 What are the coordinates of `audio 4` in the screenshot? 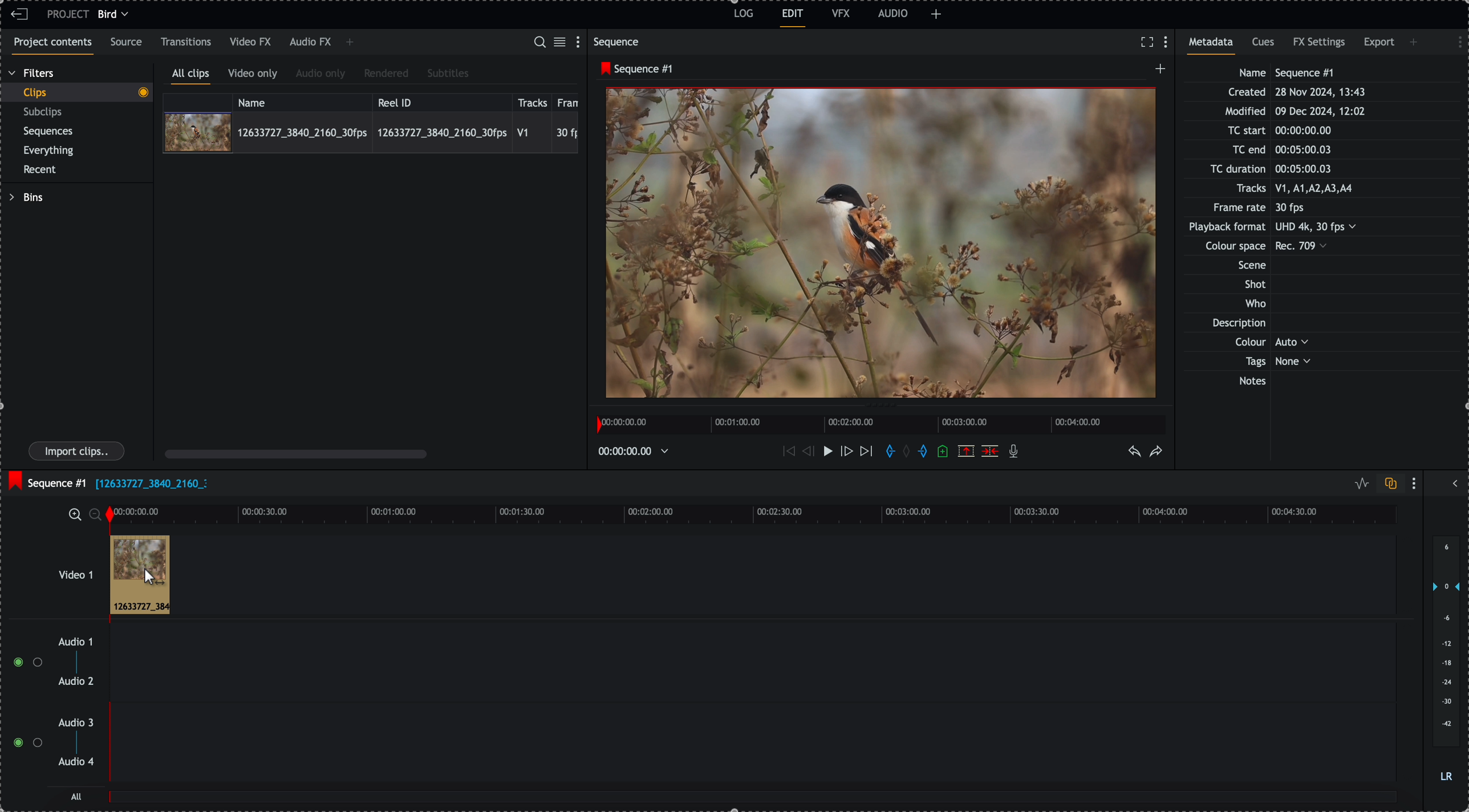 It's located at (75, 762).